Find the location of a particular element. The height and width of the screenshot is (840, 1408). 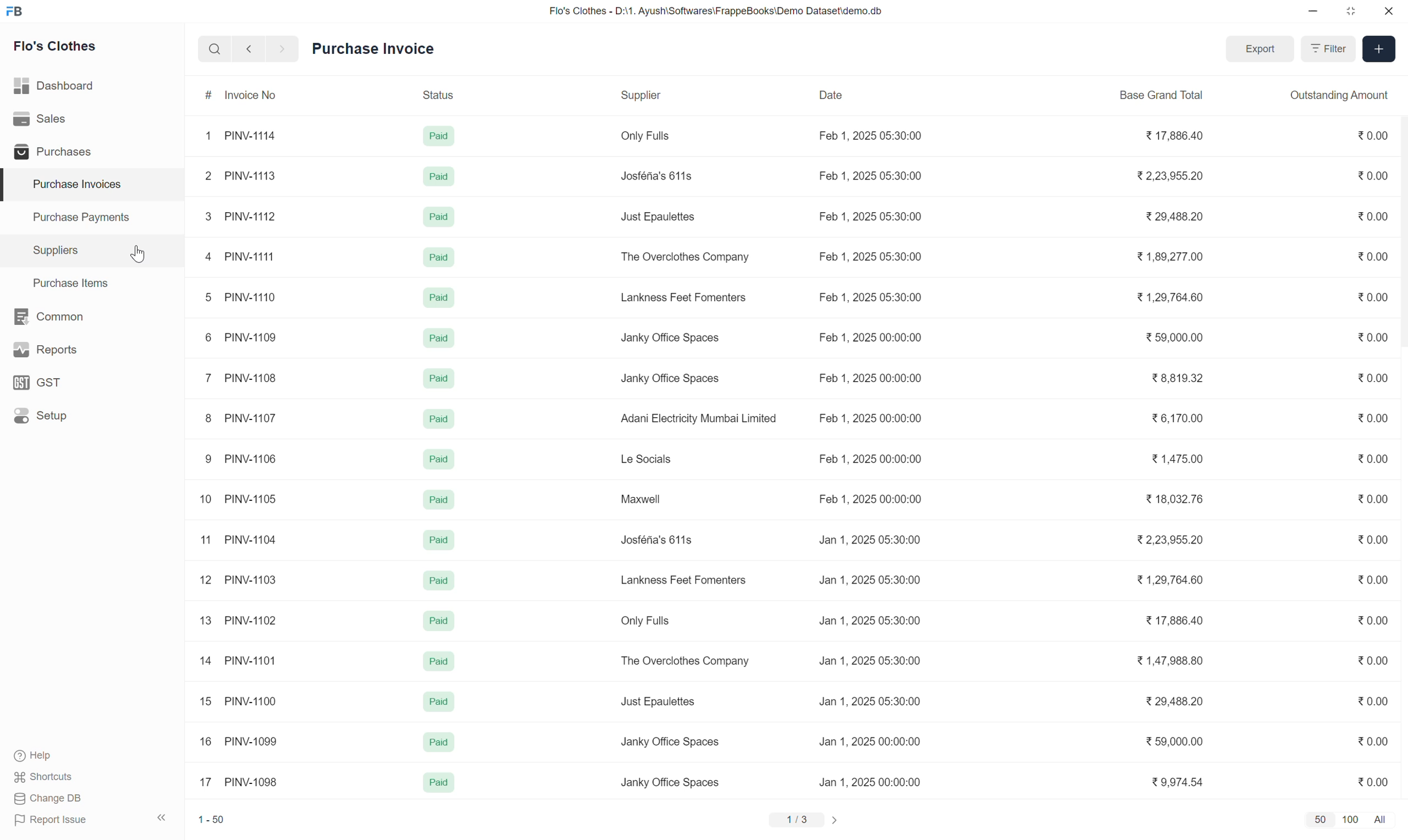

Jan 1, 2025 00:00:00 is located at coordinates (867, 742).